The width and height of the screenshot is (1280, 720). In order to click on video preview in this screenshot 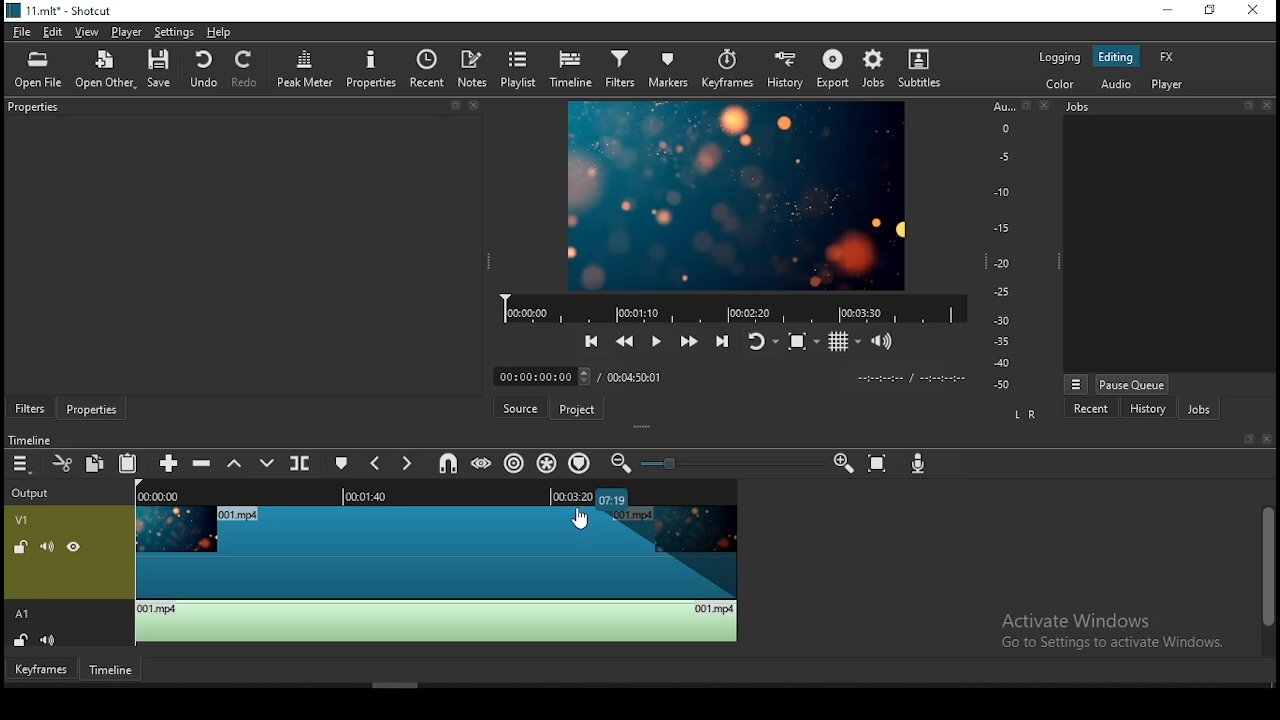, I will do `click(729, 195)`.